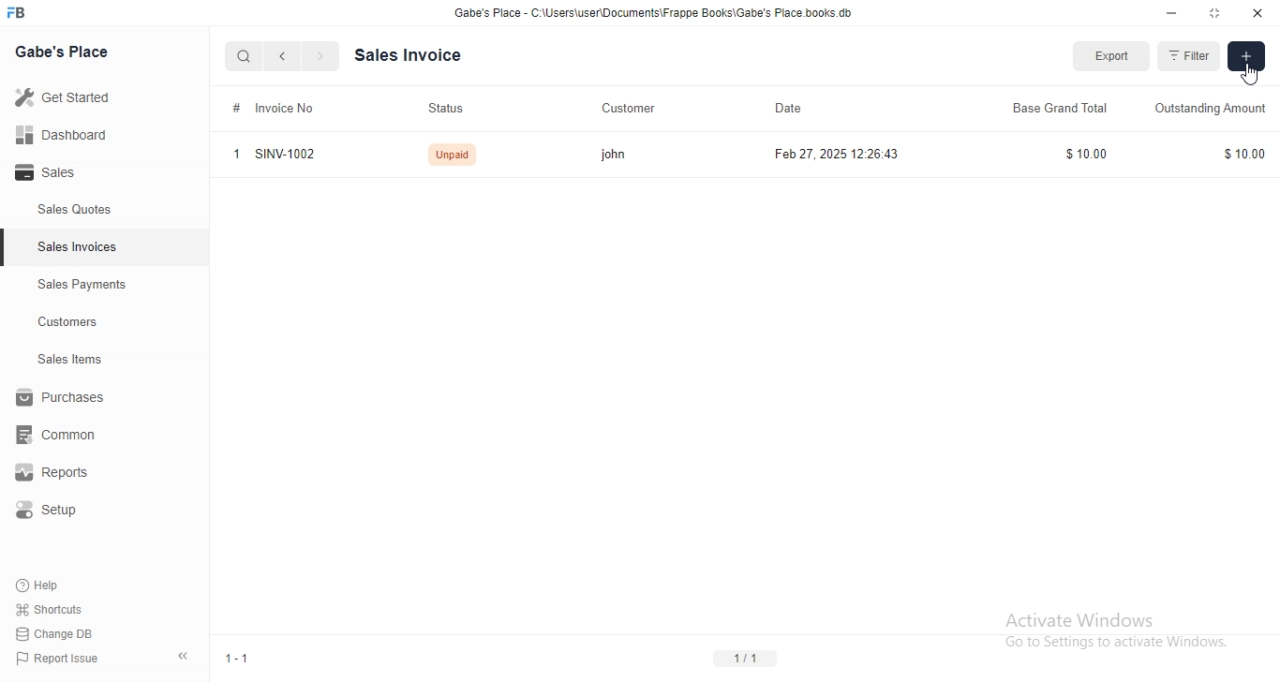  What do you see at coordinates (62, 434) in the screenshot?
I see `common` at bounding box center [62, 434].